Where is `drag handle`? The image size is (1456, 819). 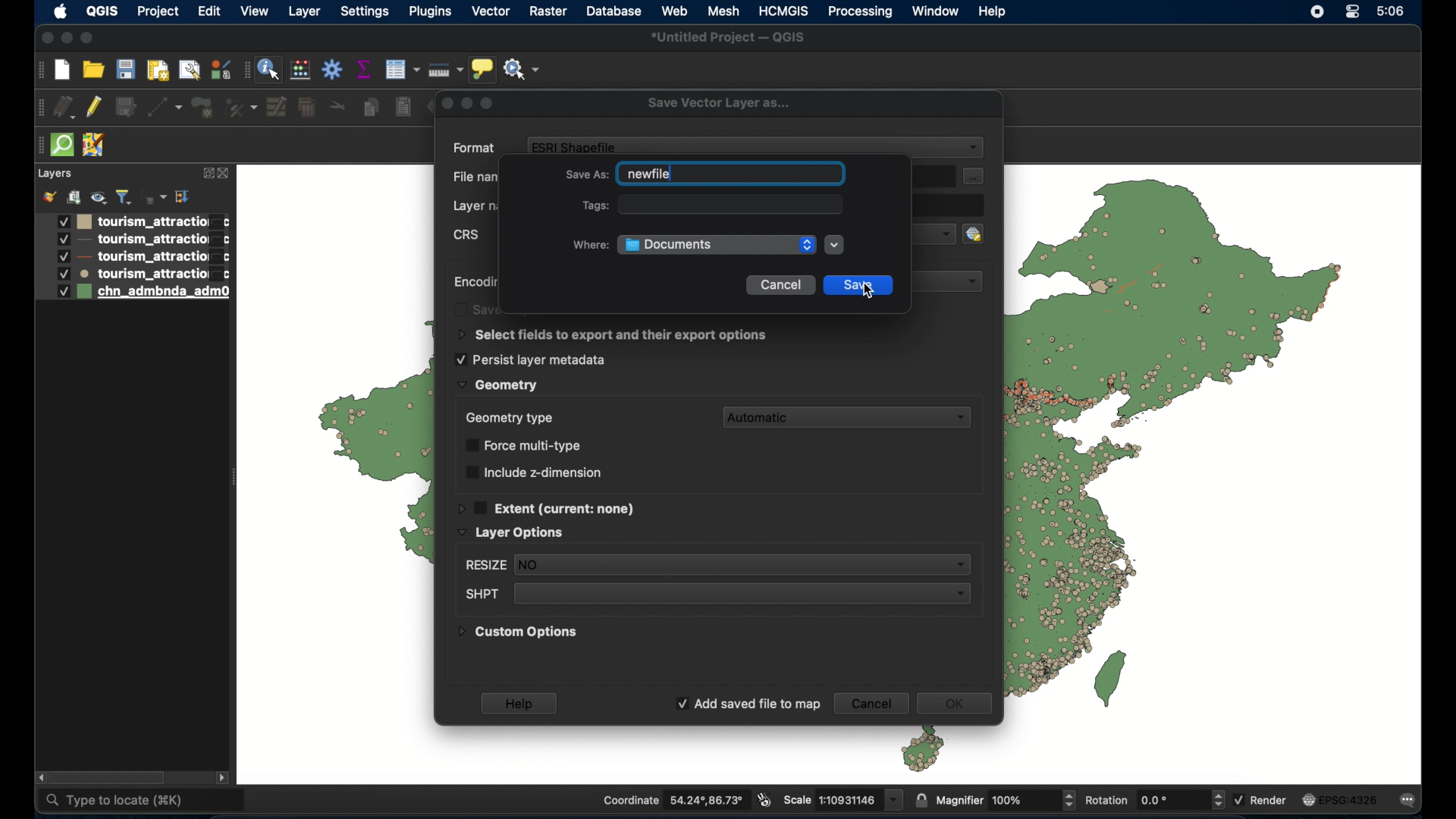 drag handle is located at coordinates (37, 146).